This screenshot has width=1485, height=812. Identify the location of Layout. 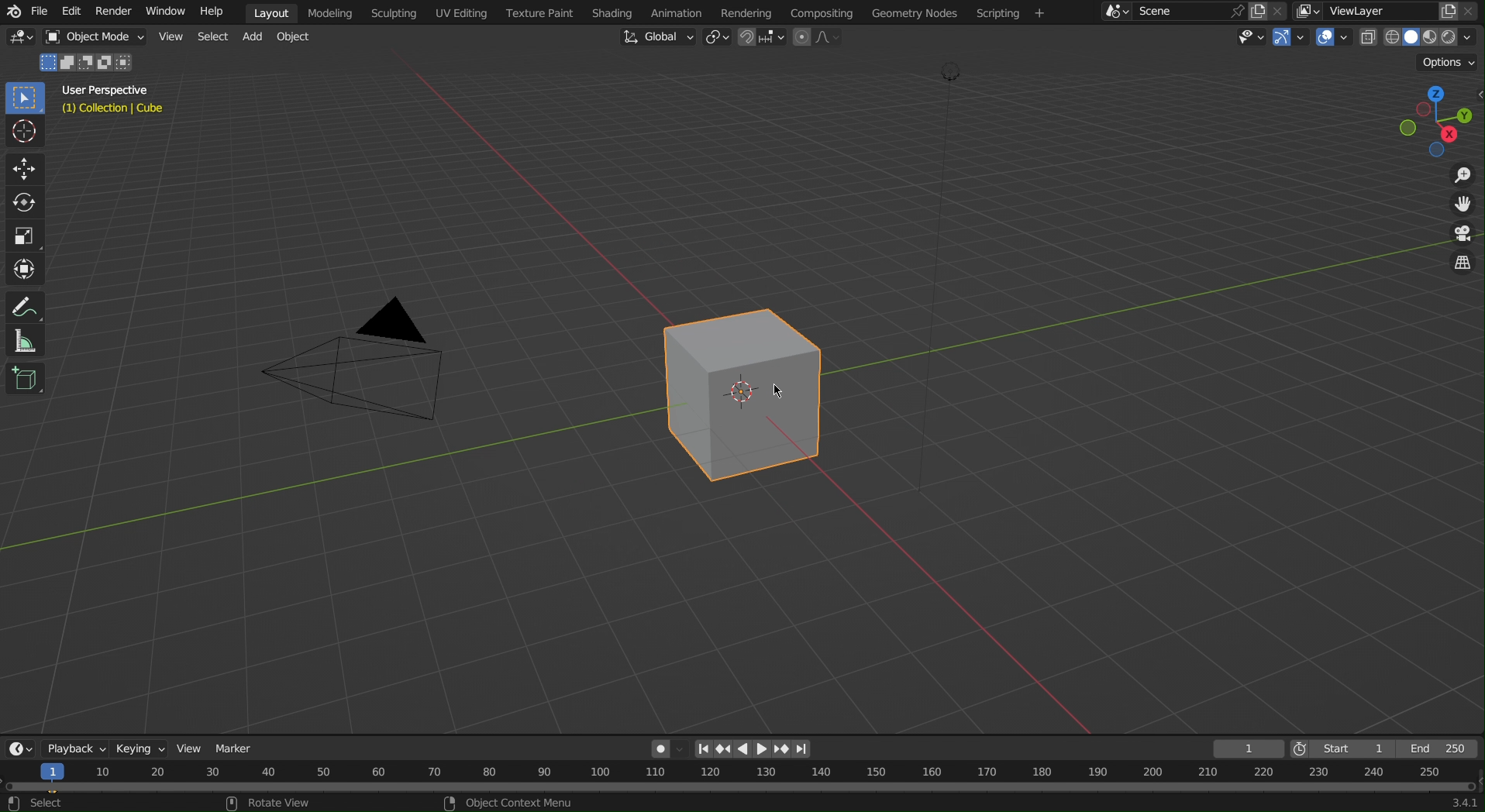
(267, 11).